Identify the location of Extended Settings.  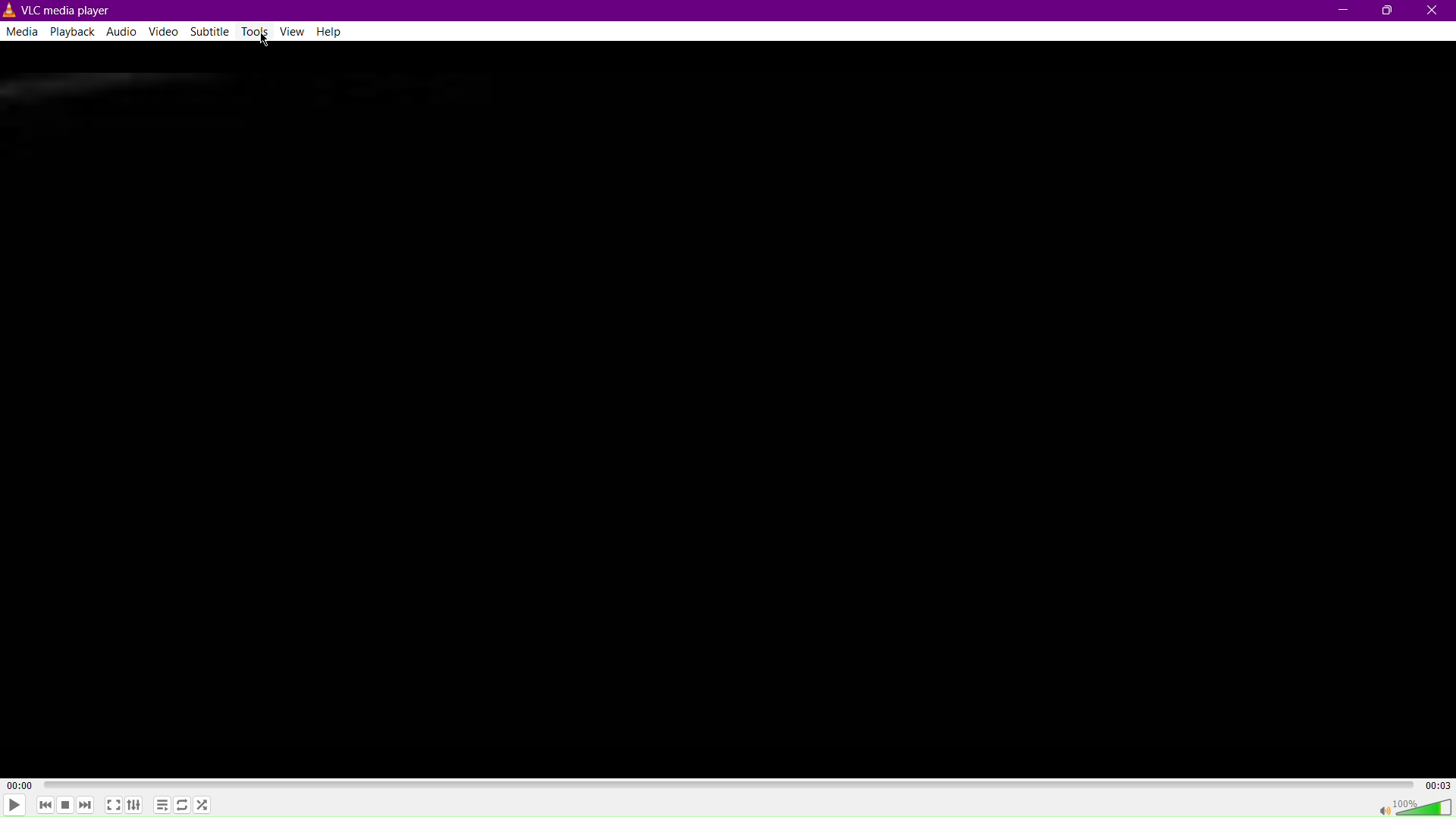
(136, 806).